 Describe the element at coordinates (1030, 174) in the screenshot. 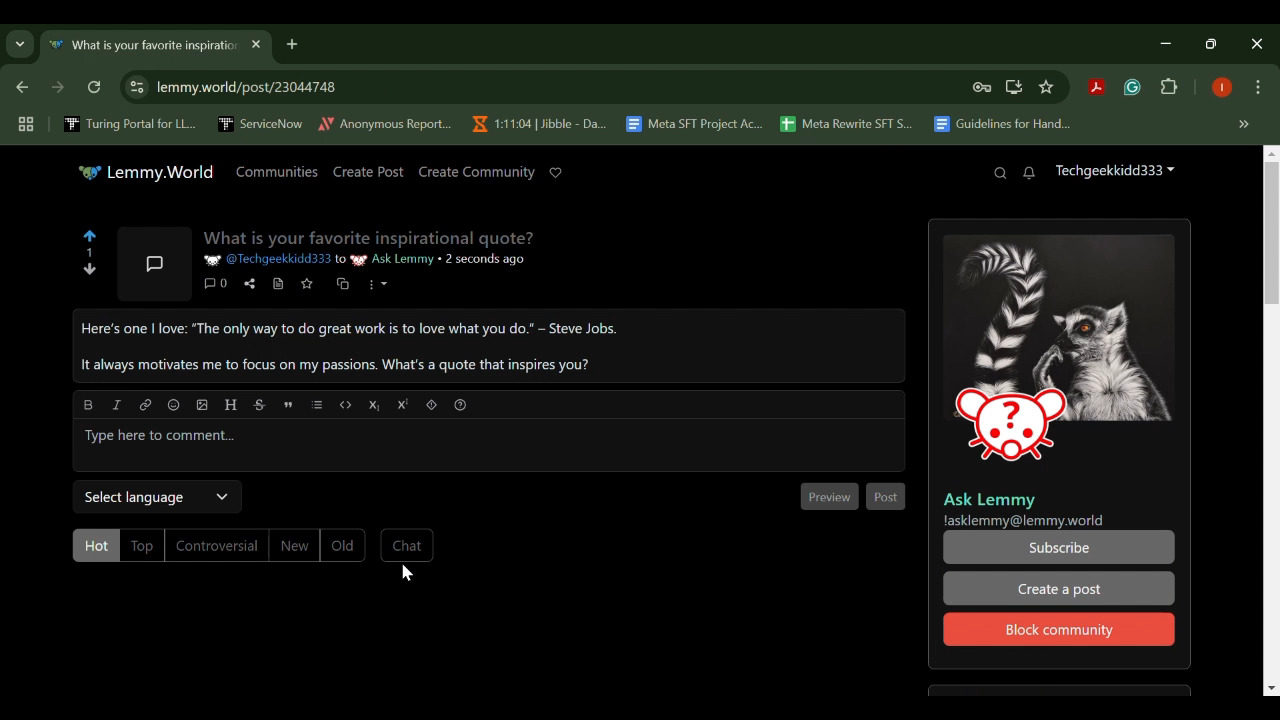

I see `Notifications` at that location.